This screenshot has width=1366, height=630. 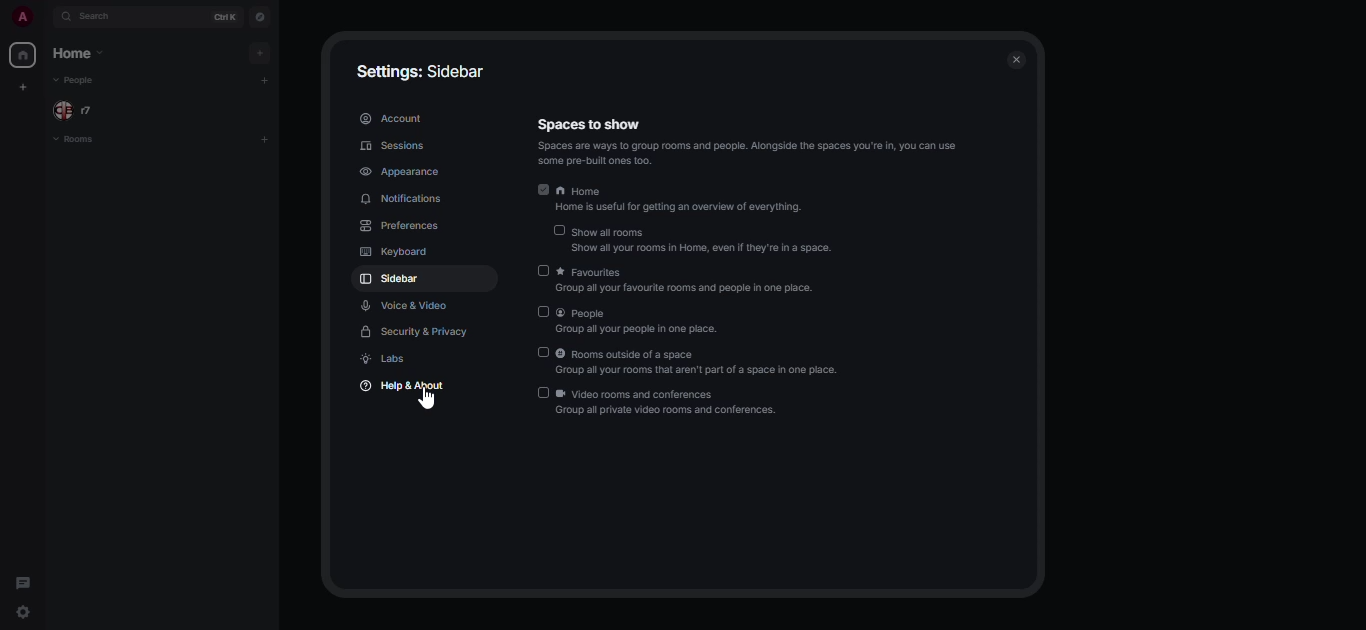 What do you see at coordinates (265, 139) in the screenshot?
I see `add` at bounding box center [265, 139].